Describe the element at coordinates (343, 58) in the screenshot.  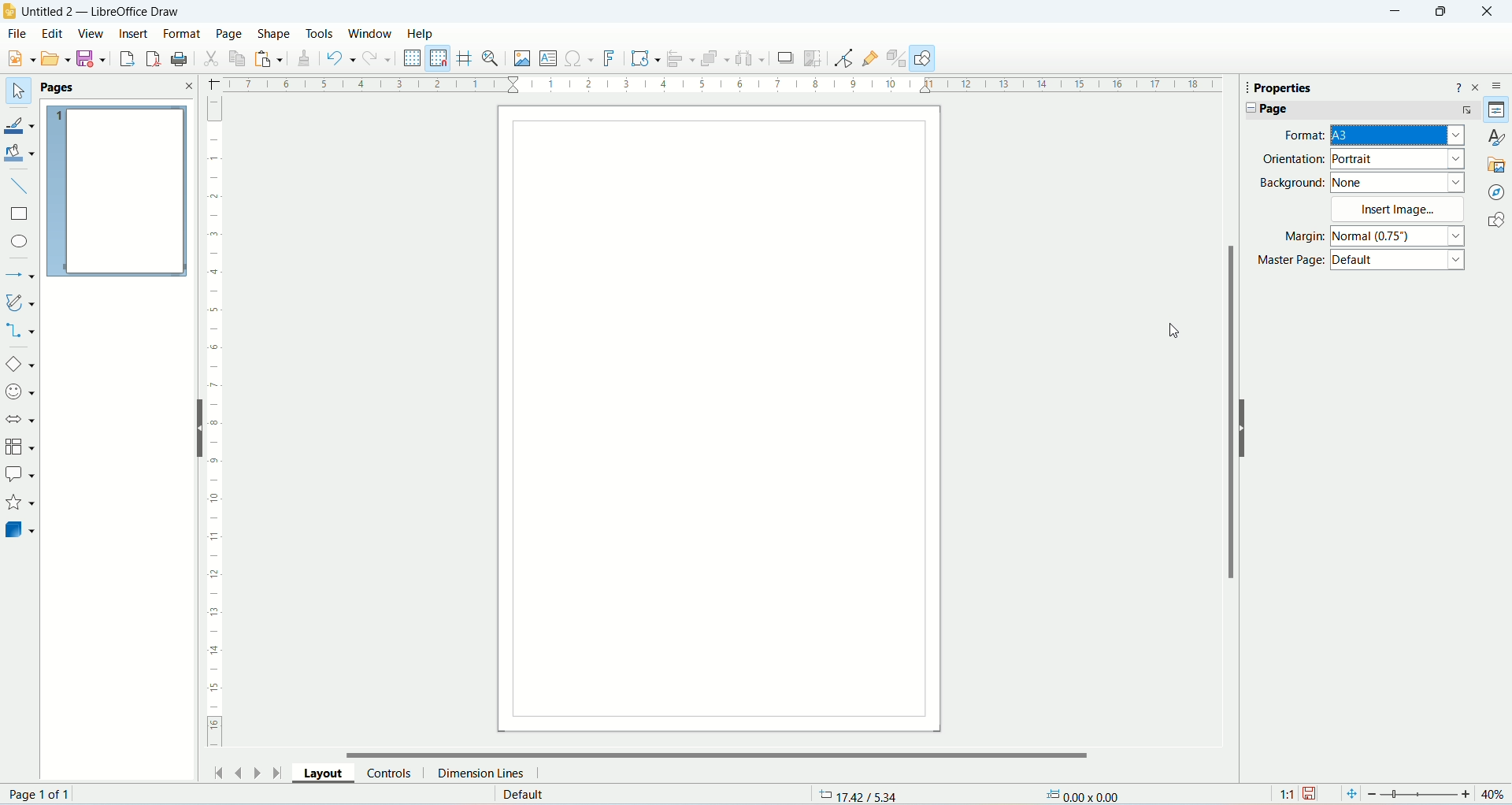
I see `undo` at that location.